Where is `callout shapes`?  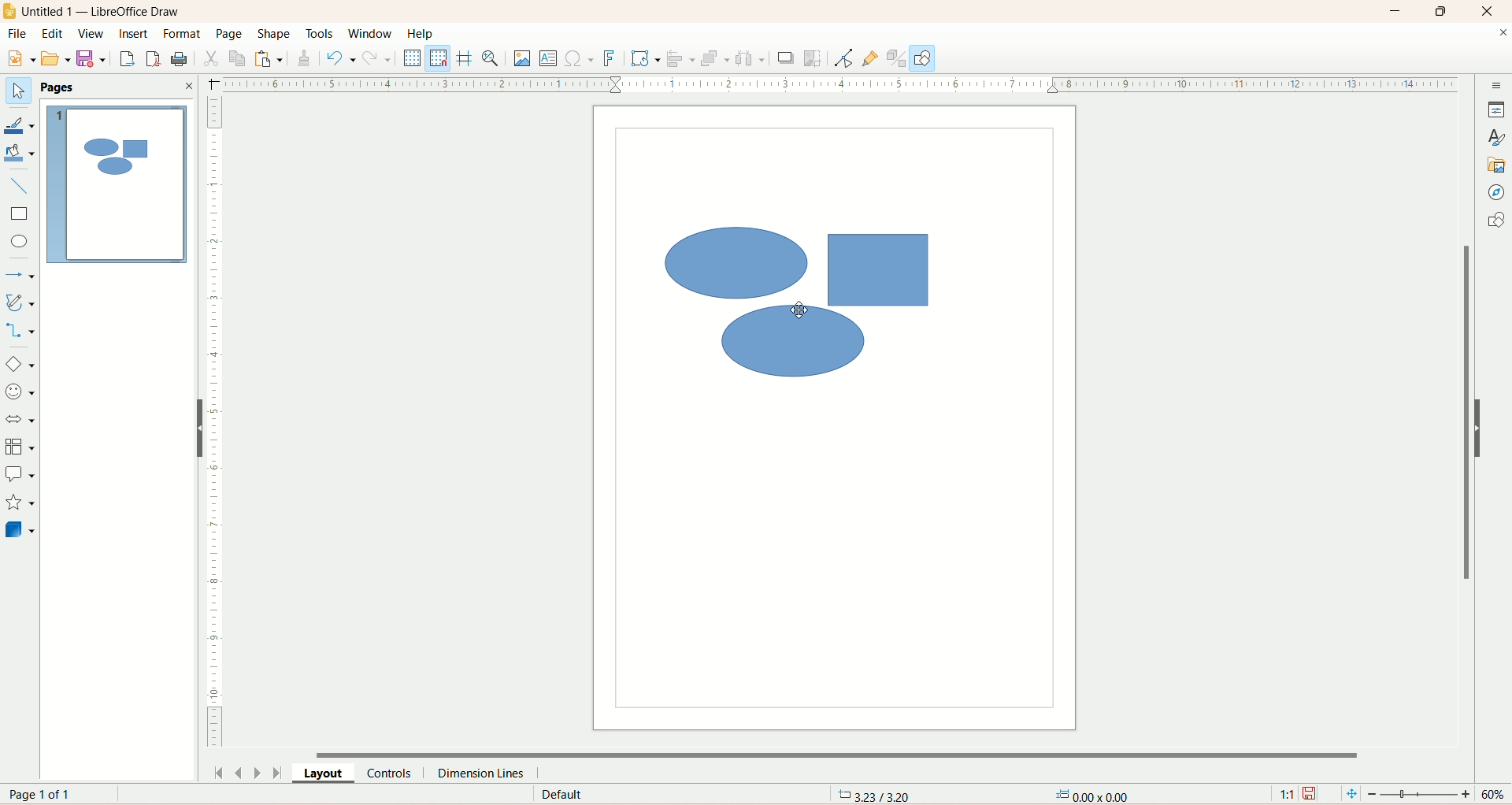
callout shapes is located at coordinates (20, 476).